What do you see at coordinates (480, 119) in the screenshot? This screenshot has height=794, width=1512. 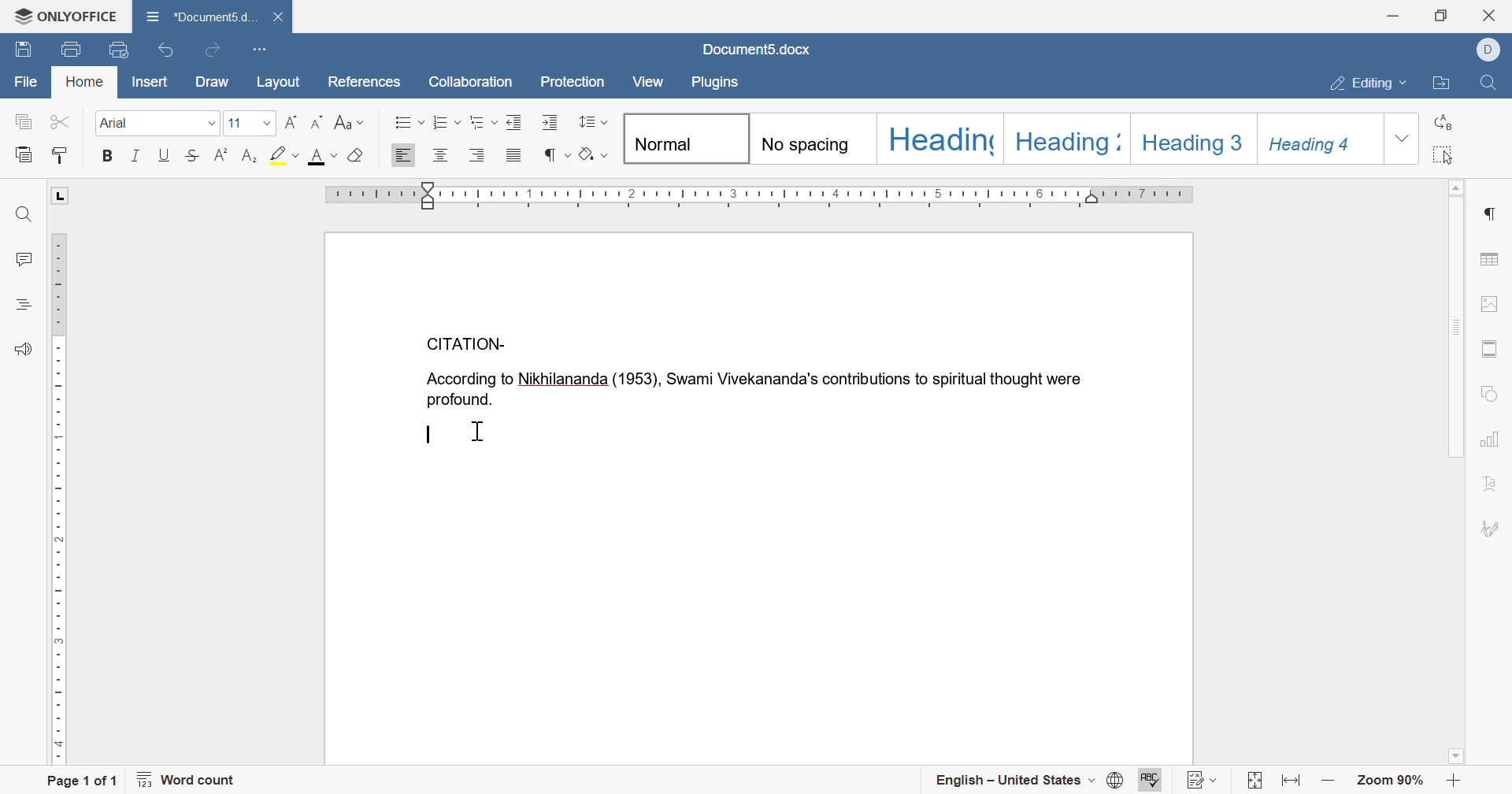 I see `multilevel list` at bounding box center [480, 119].